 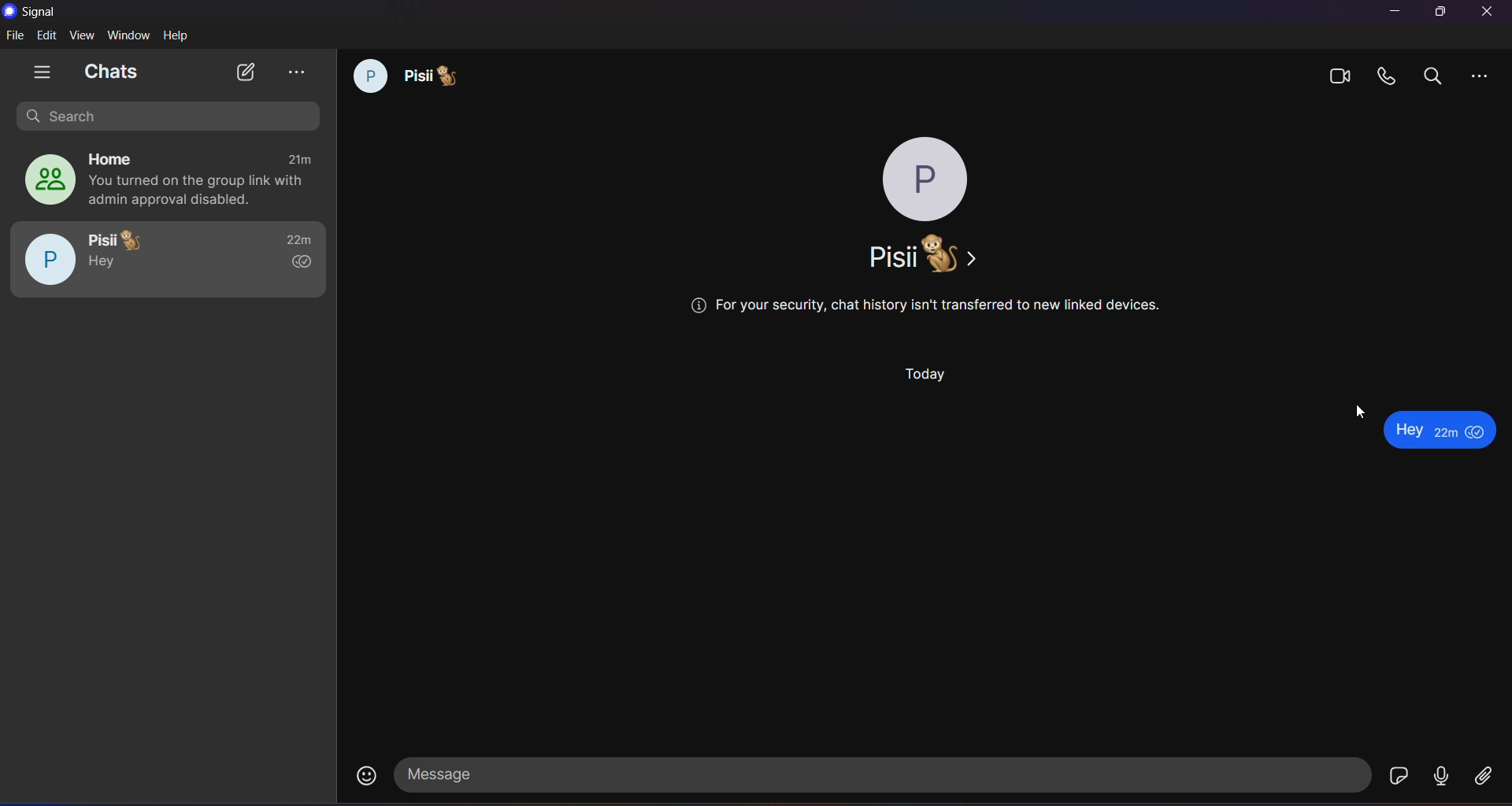 I want to click on message, so click(x=884, y=775).